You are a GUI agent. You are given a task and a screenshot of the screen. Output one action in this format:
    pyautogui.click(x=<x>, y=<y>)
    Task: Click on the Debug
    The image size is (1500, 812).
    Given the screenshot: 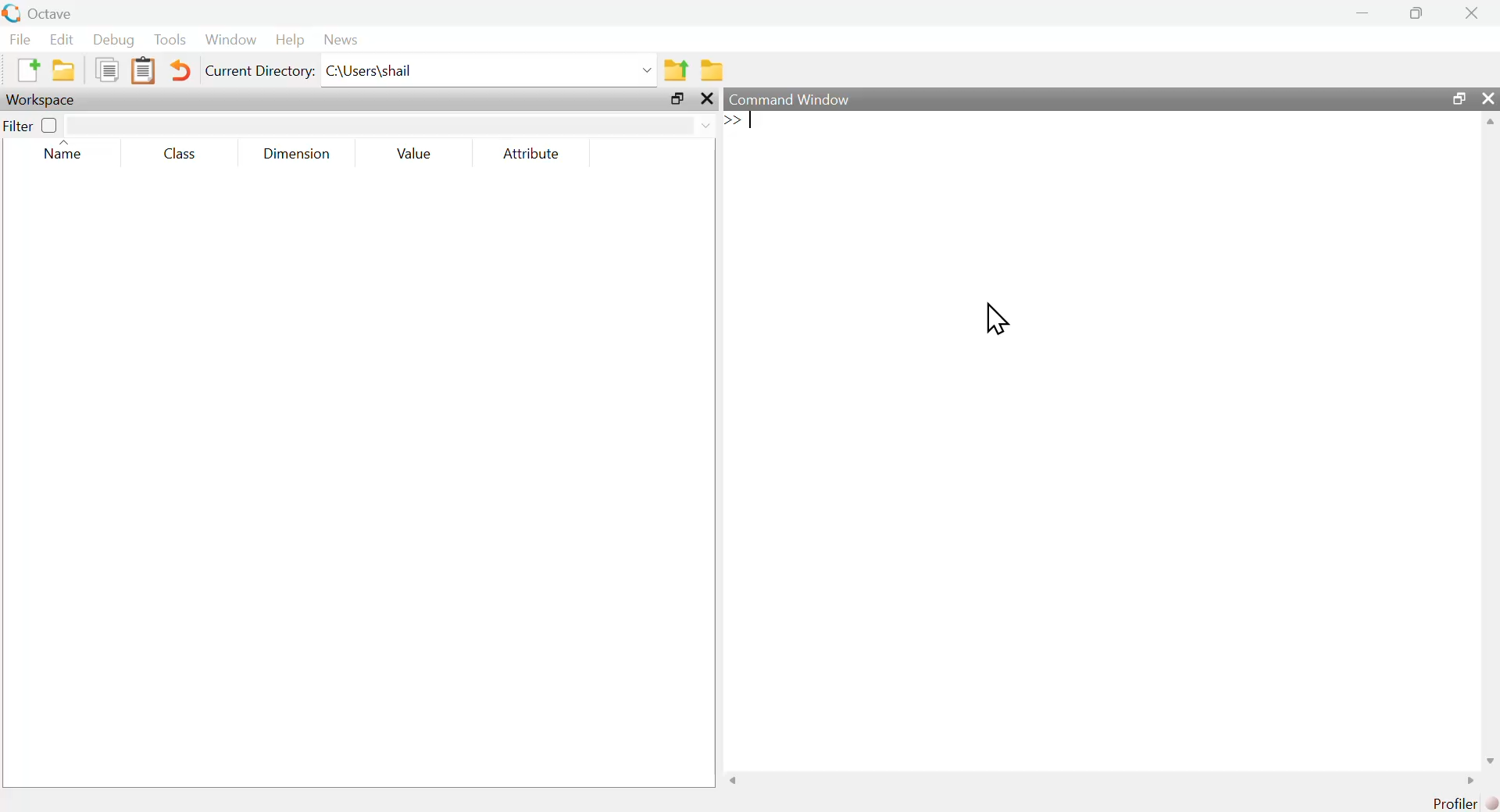 What is the action you would take?
    pyautogui.click(x=114, y=40)
    